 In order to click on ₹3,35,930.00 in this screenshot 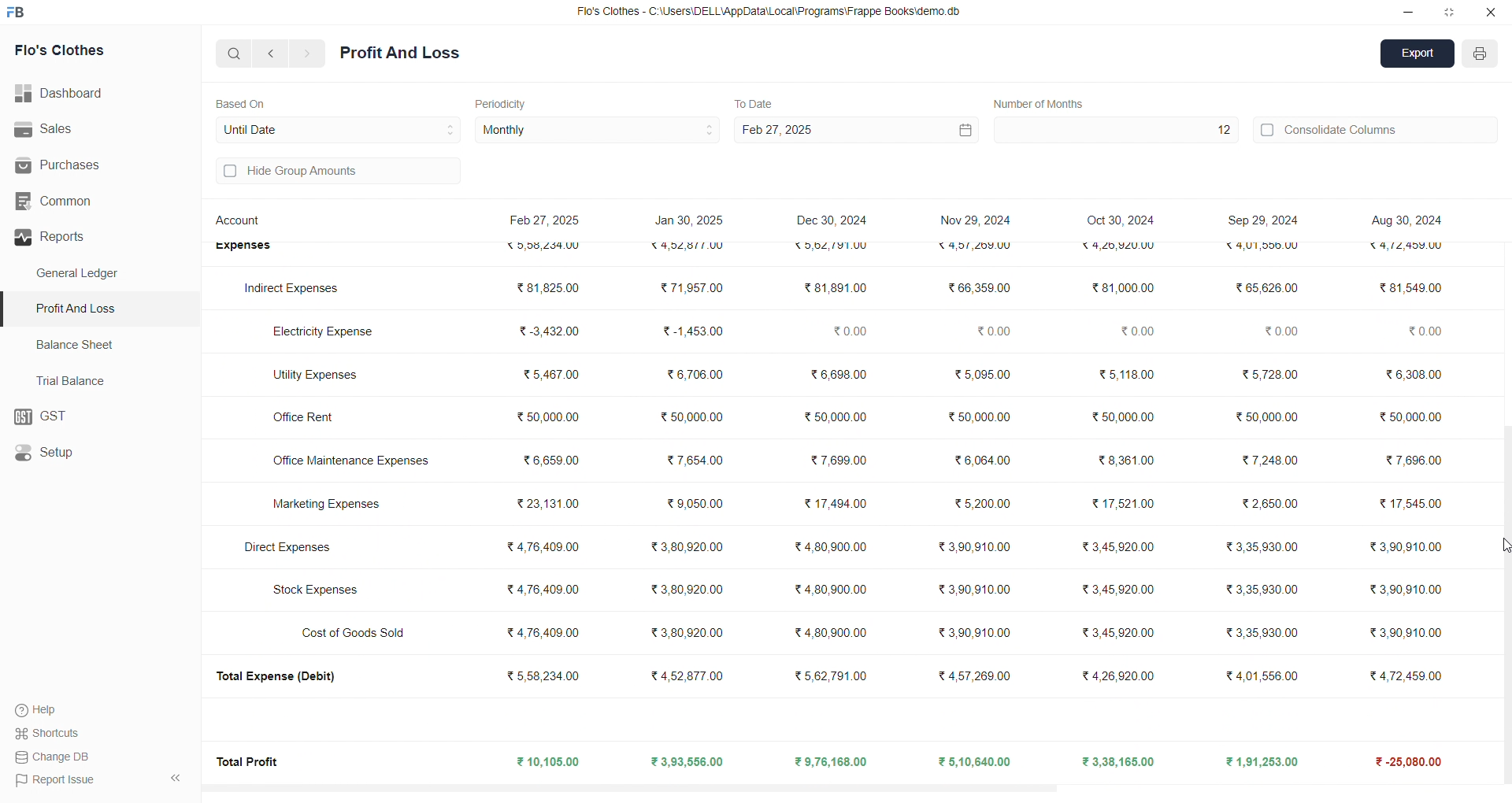, I will do `click(1258, 634)`.